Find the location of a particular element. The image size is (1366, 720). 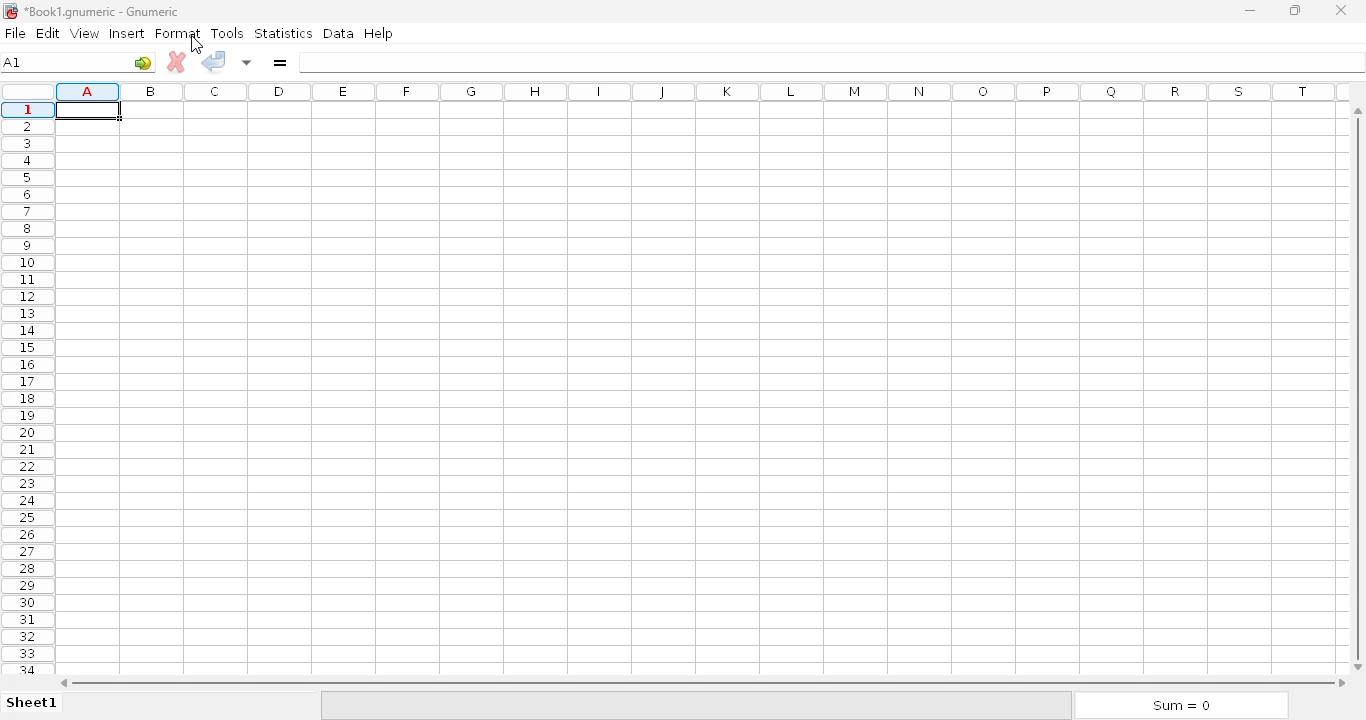

columns is located at coordinates (704, 92).